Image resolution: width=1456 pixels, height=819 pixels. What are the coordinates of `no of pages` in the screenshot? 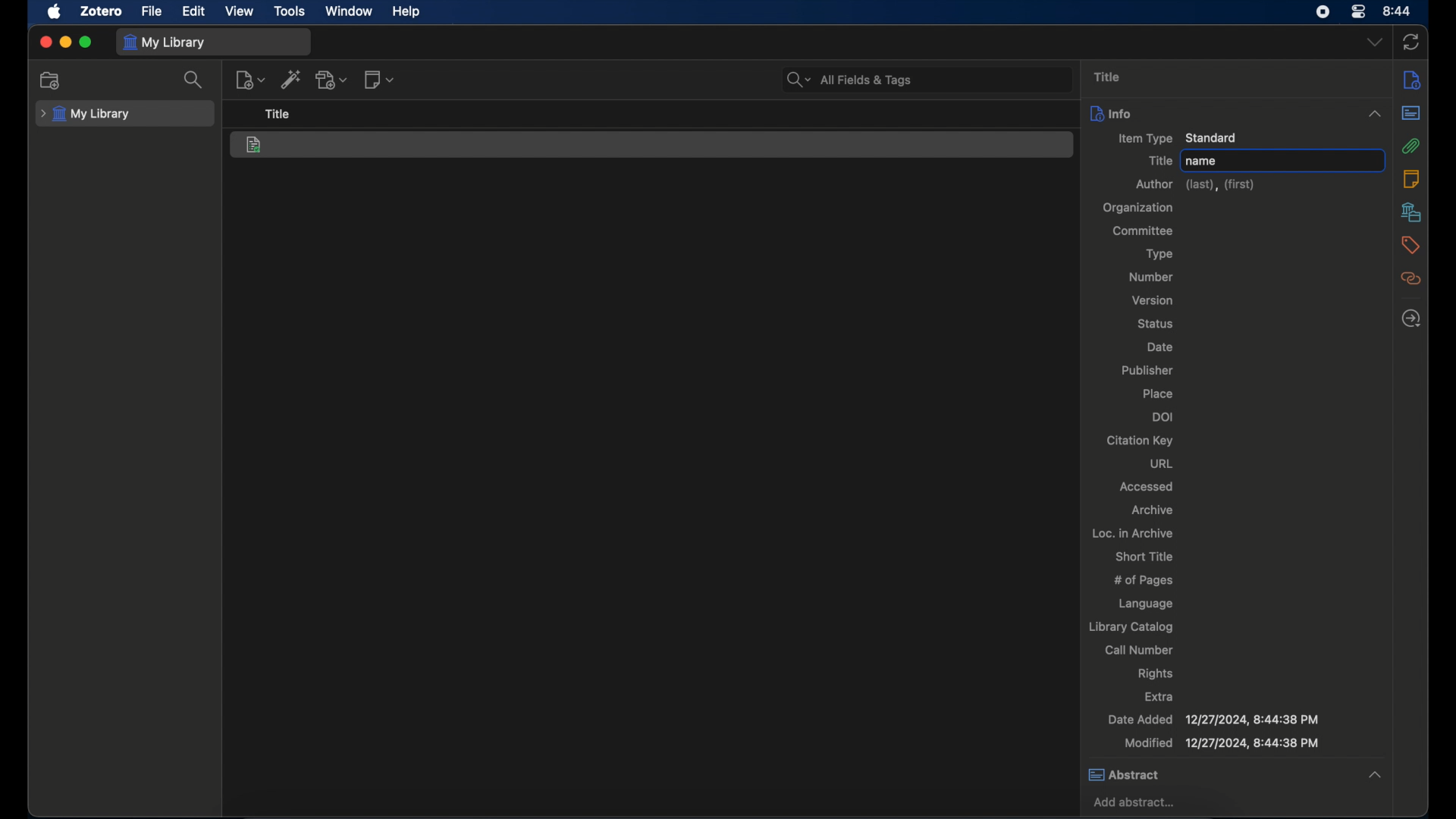 It's located at (1146, 581).